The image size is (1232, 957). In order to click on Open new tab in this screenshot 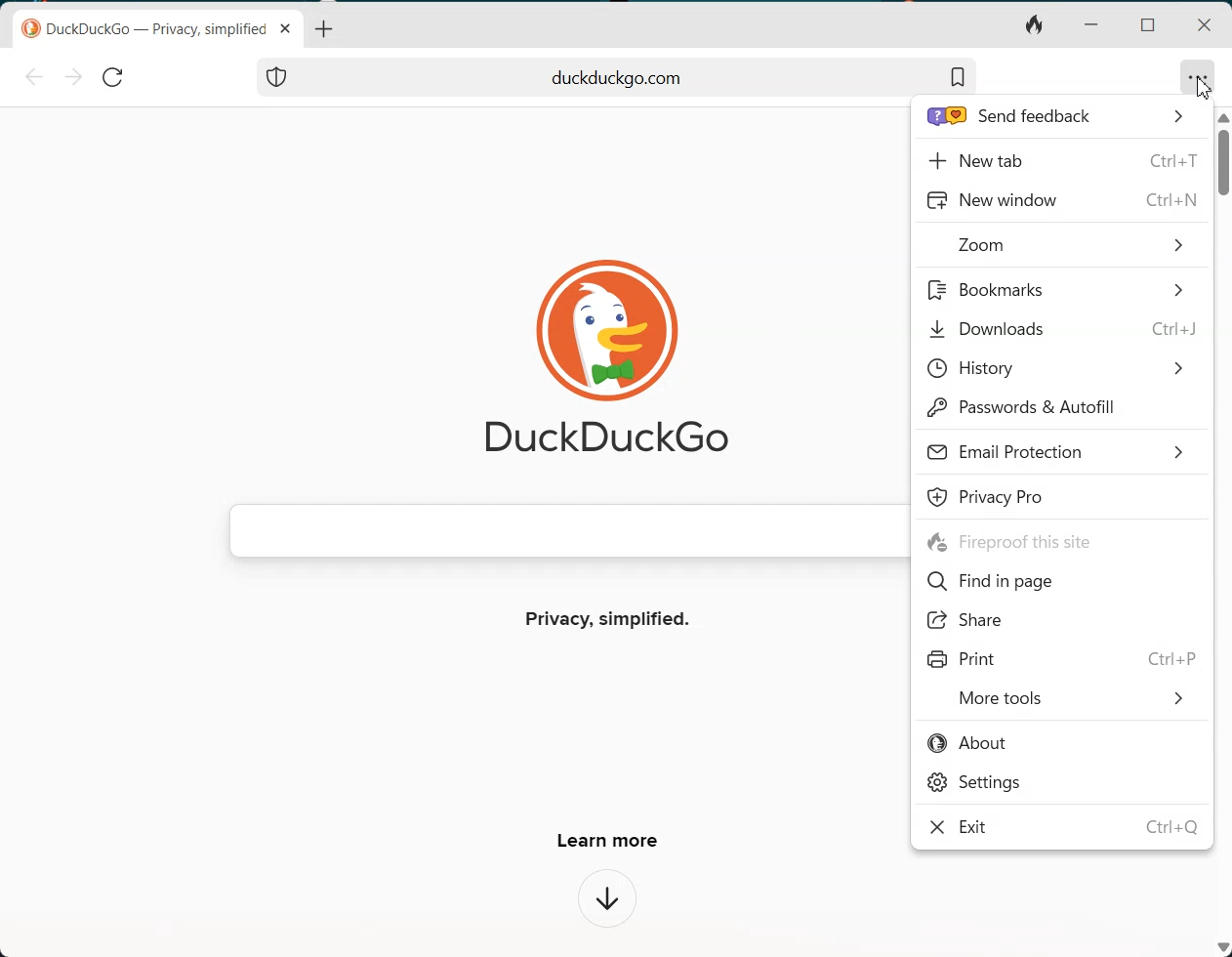, I will do `click(322, 28)`.